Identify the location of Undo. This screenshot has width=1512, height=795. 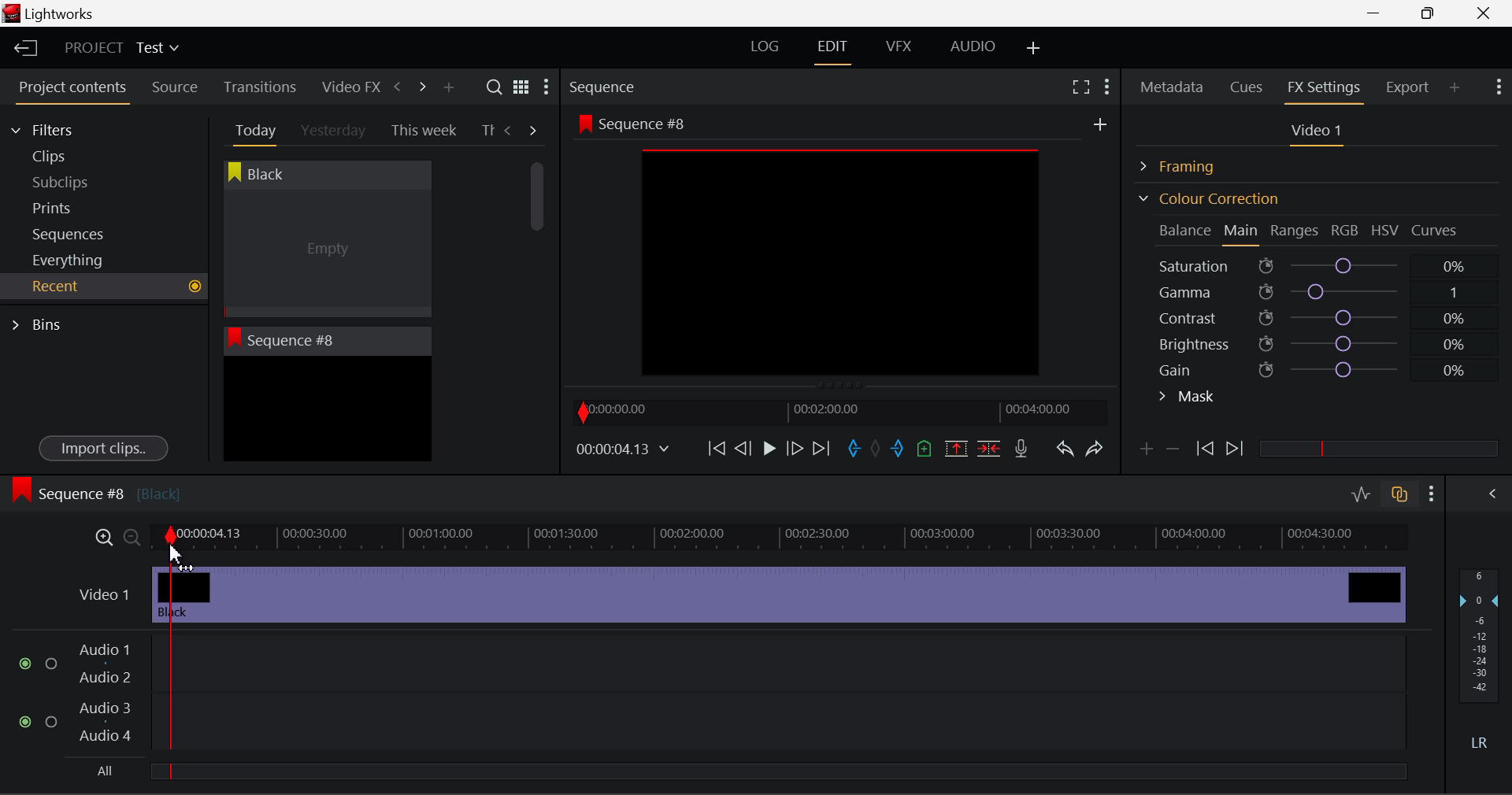
(1064, 452).